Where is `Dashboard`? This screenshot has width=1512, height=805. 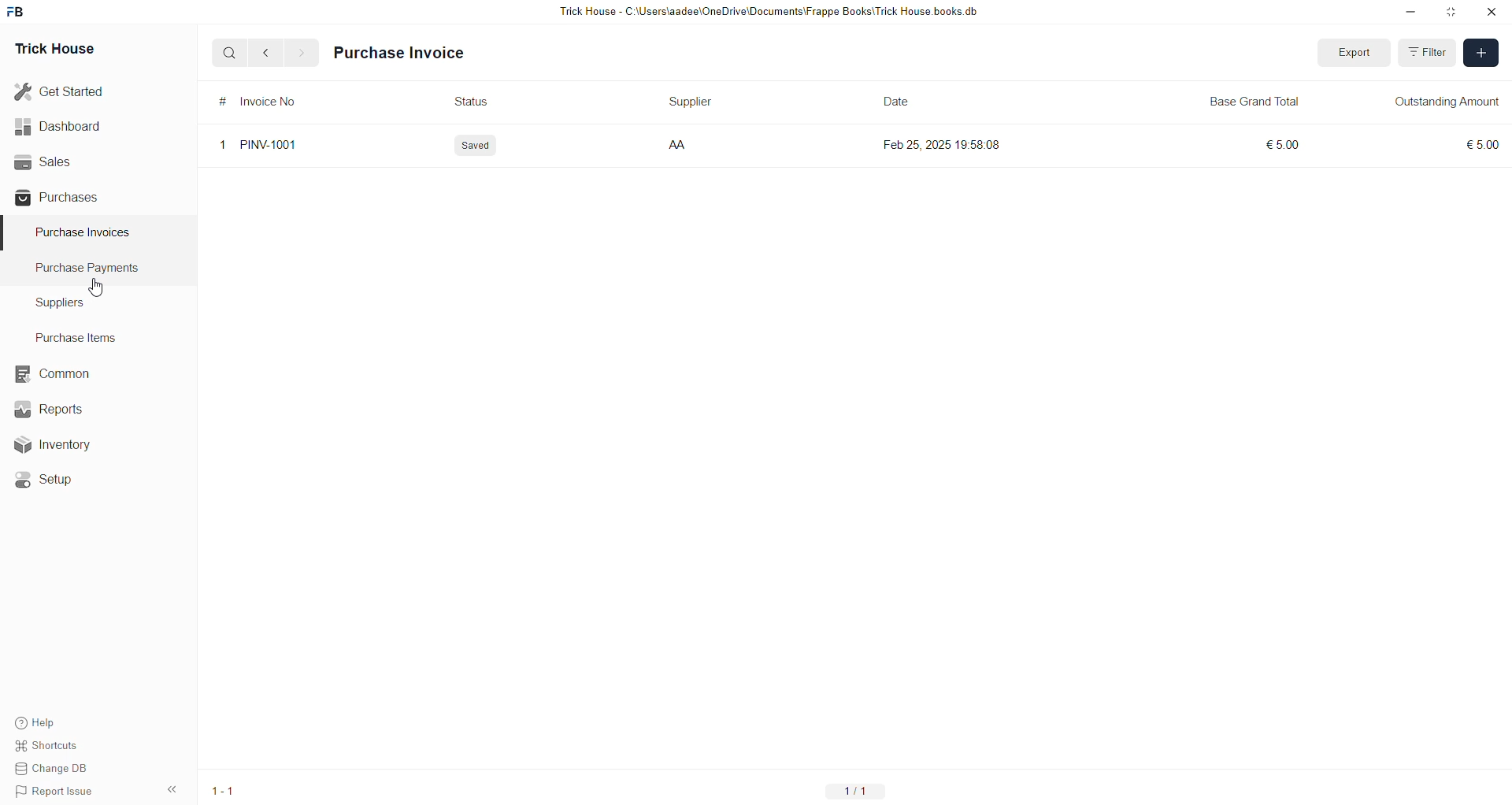
Dashboard is located at coordinates (61, 126).